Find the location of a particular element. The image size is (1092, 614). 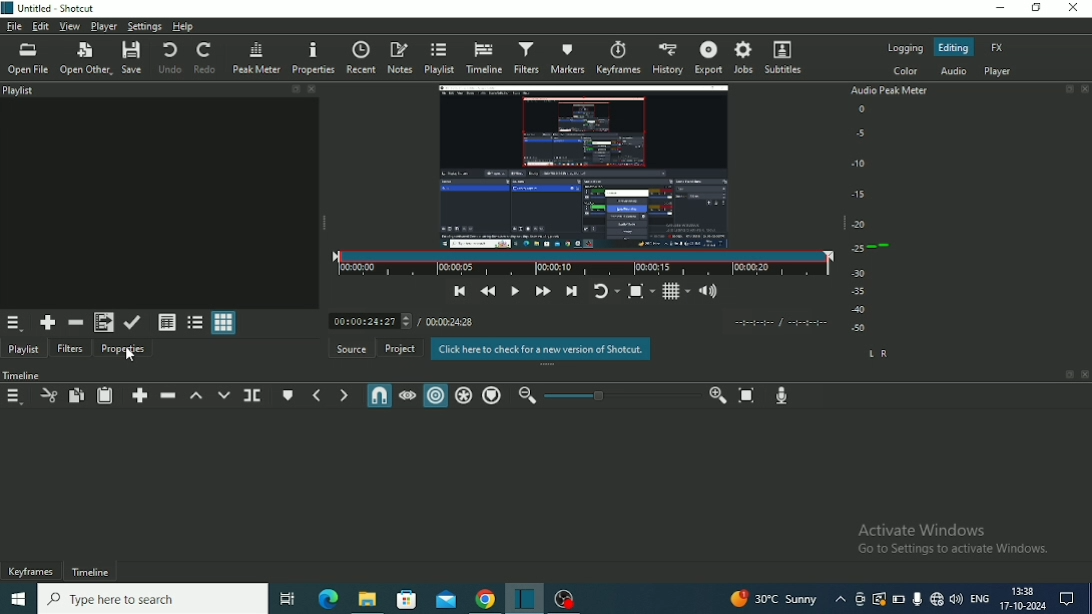

Help is located at coordinates (183, 26).